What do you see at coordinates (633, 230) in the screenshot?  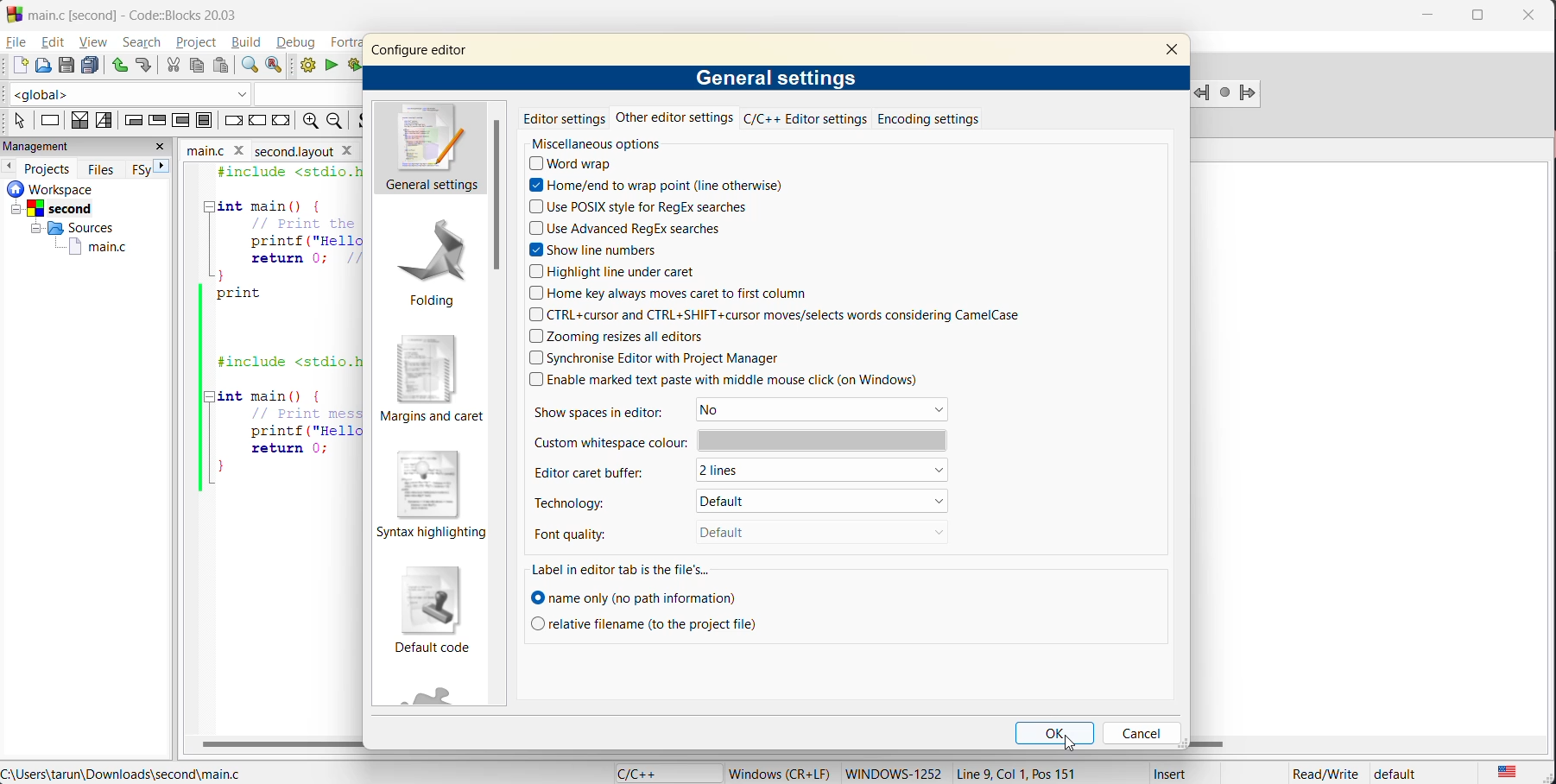 I see `use advanced regex searches` at bounding box center [633, 230].